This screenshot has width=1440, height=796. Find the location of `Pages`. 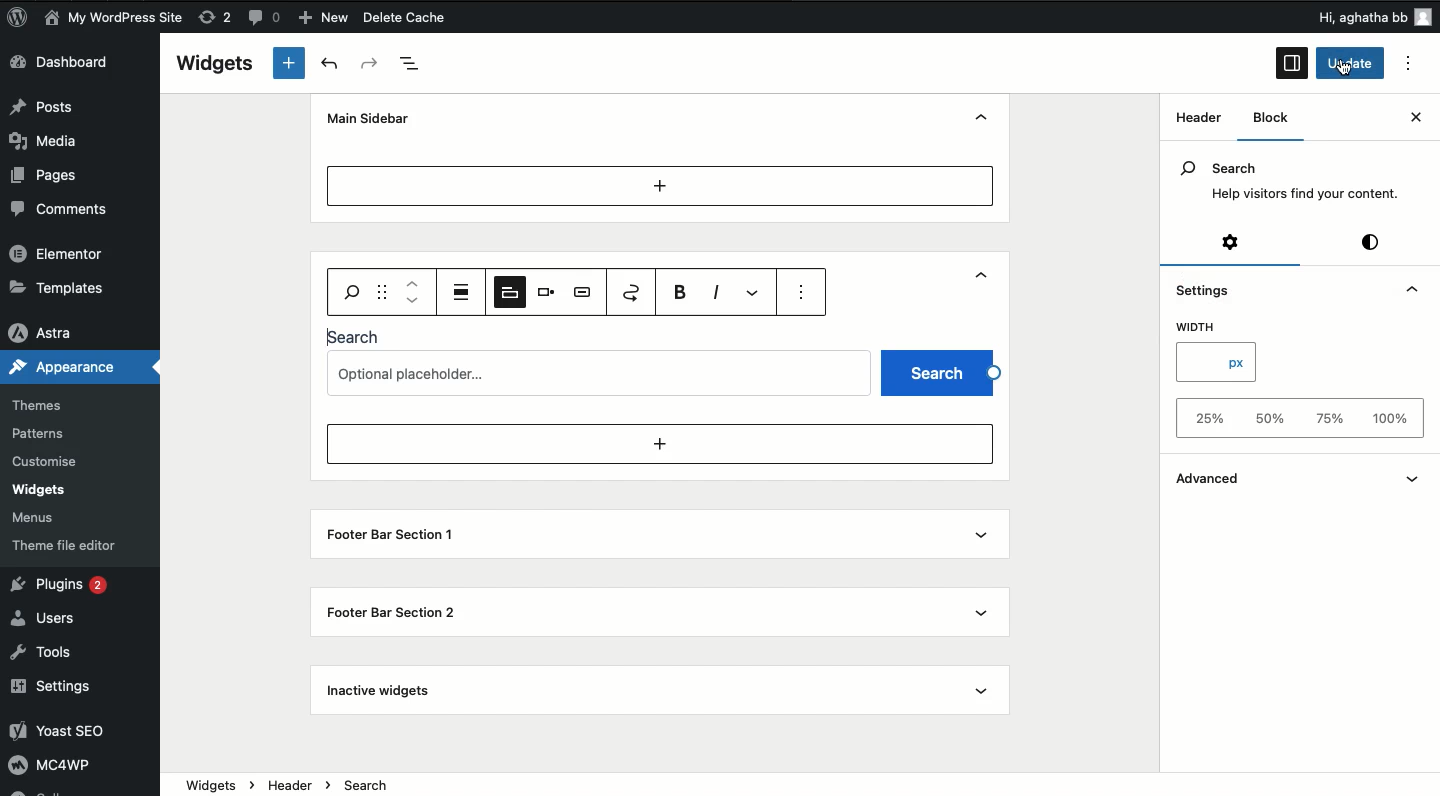

Pages is located at coordinates (48, 175).